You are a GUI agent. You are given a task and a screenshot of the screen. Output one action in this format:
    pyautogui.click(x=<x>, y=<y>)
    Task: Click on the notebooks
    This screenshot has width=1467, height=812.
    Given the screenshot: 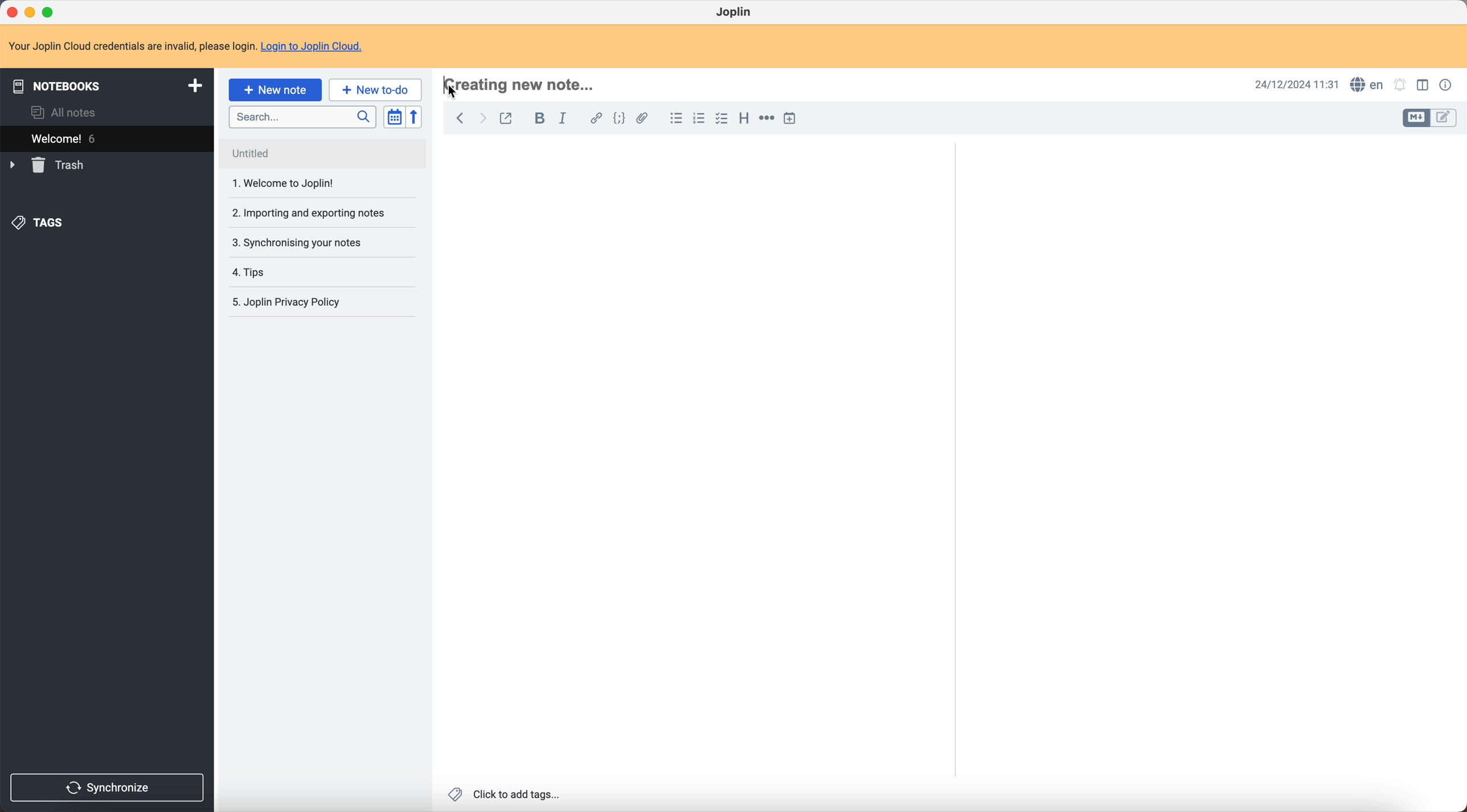 What is the action you would take?
    pyautogui.click(x=105, y=85)
    